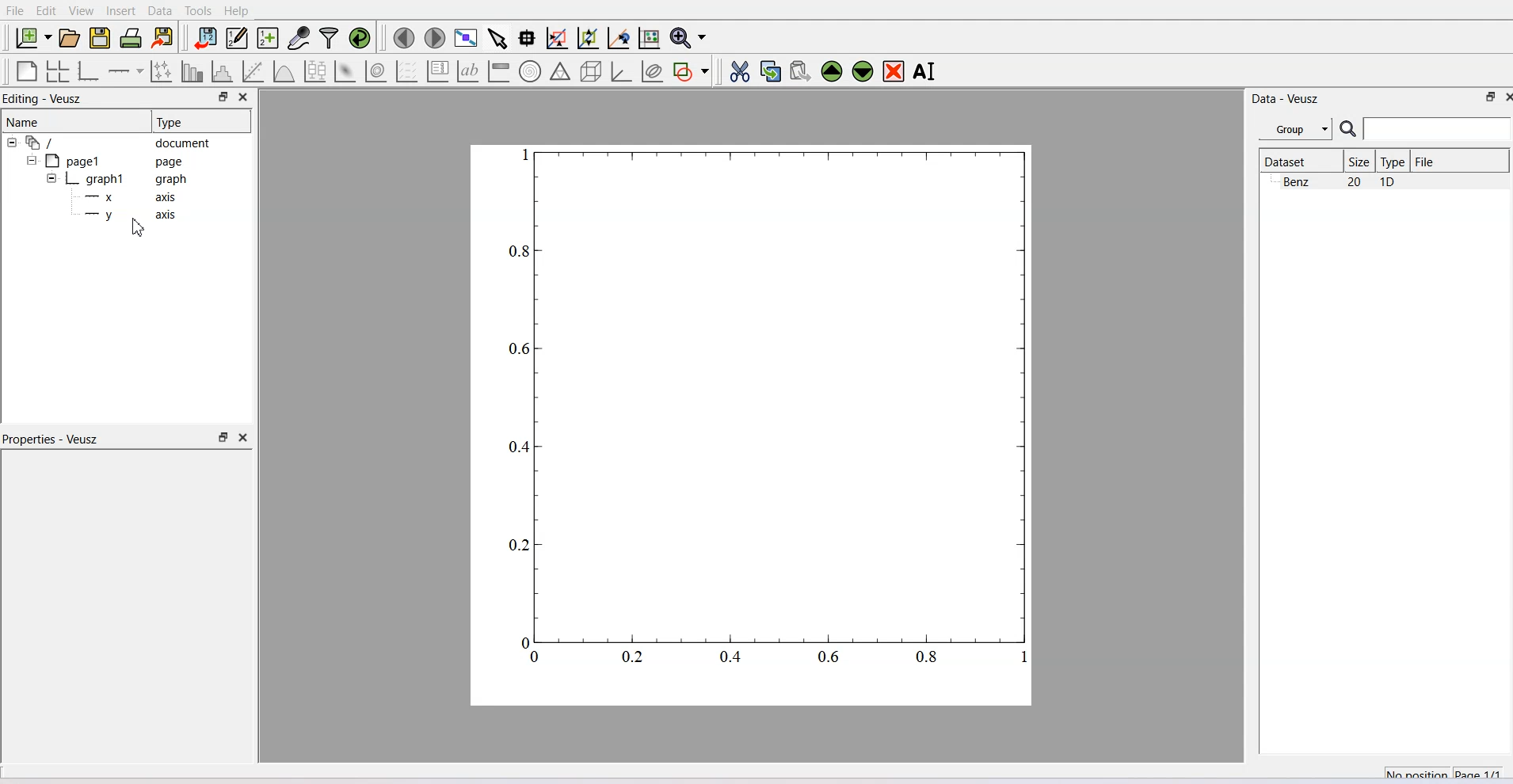 This screenshot has width=1513, height=784. What do you see at coordinates (223, 438) in the screenshot?
I see `Maximize` at bounding box center [223, 438].